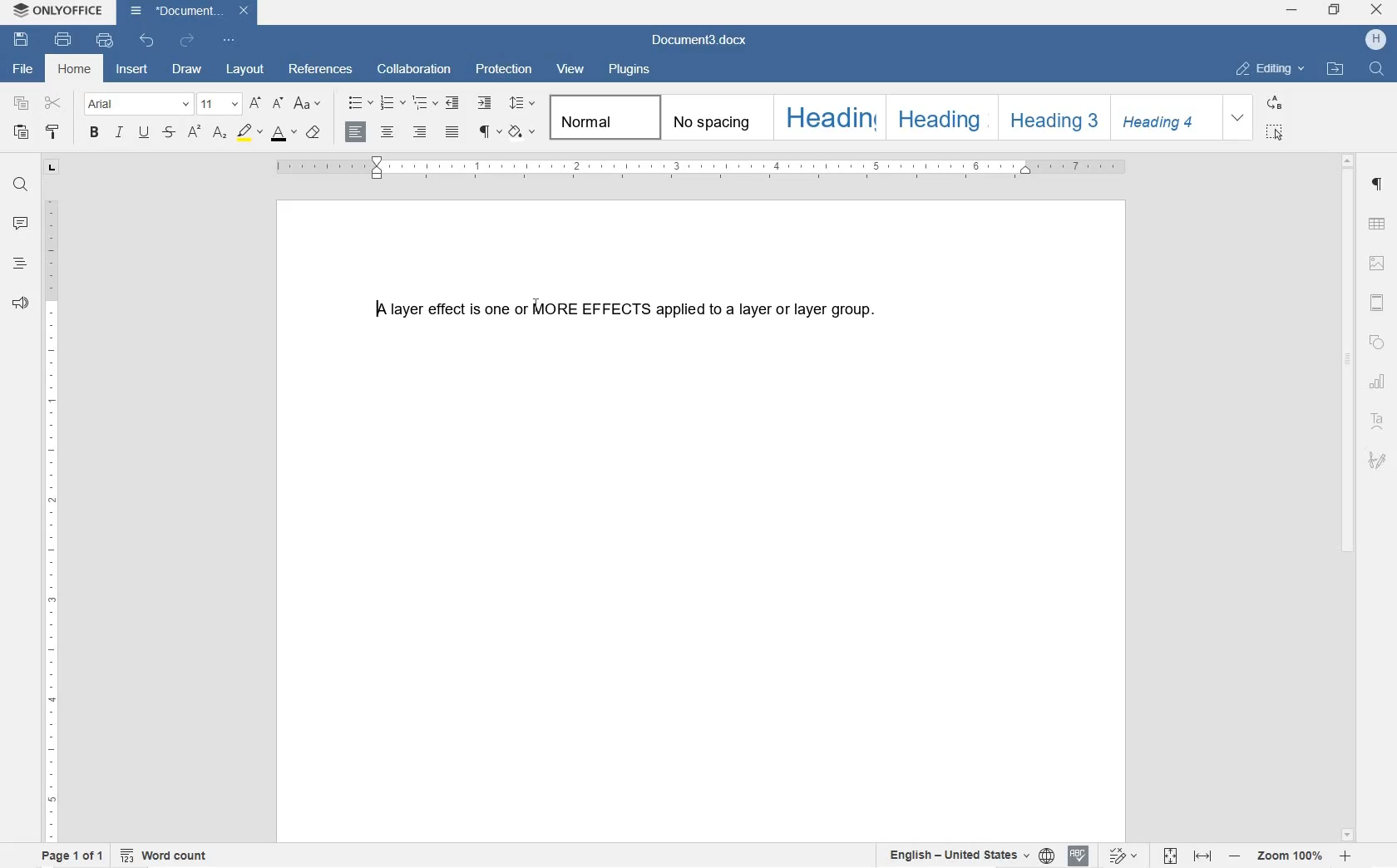  Describe the element at coordinates (523, 131) in the screenshot. I see `SHADING` at that location.